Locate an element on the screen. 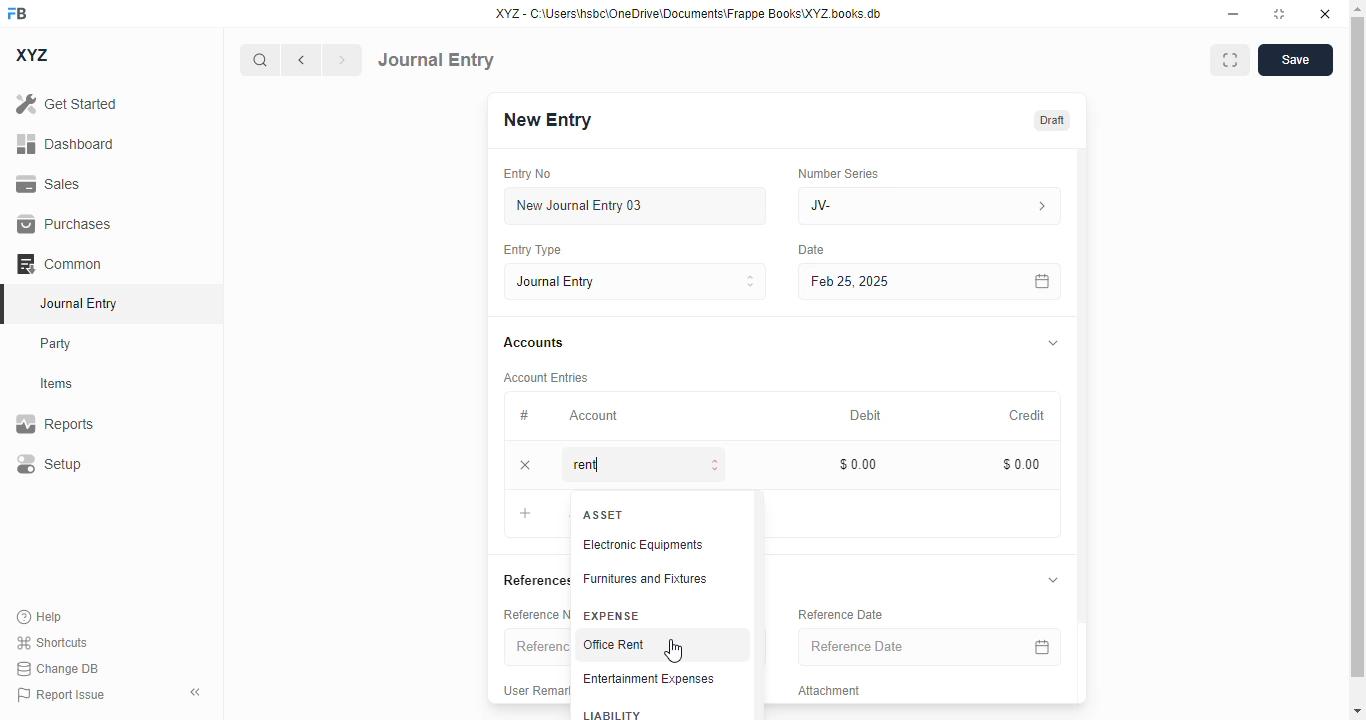 Image resolution: width=1366 pixels, height=720 pixels. credit is located at coordinates (1027, 416).